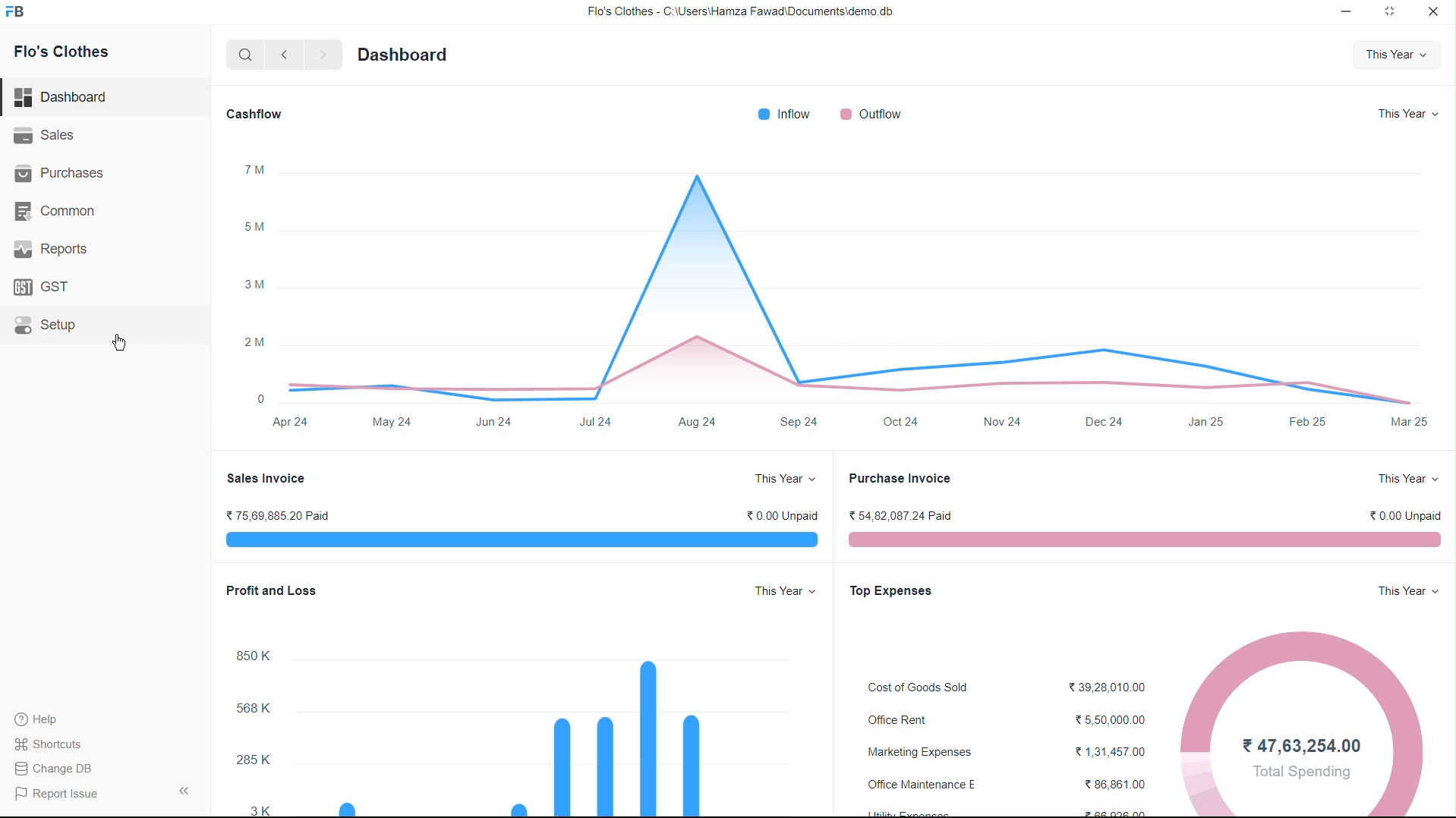 This screenshot has height=818, width=1456. I want to click on Cost of Goods Sold, so click(916, 685).